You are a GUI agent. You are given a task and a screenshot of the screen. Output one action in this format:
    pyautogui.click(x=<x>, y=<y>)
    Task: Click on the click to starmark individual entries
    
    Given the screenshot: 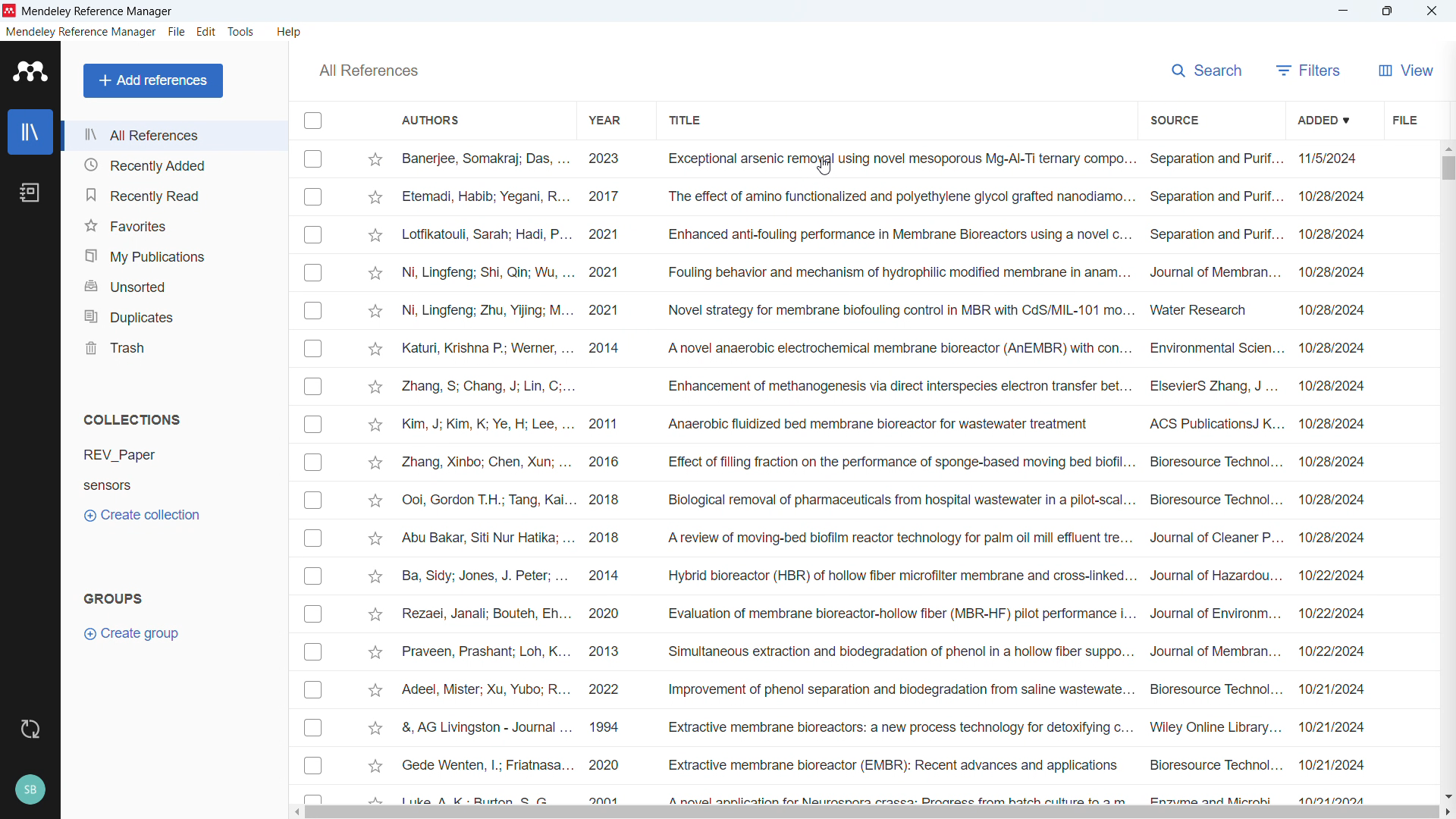 What is the action you would take?
    pyautogui.click(x=375, y=578)
    